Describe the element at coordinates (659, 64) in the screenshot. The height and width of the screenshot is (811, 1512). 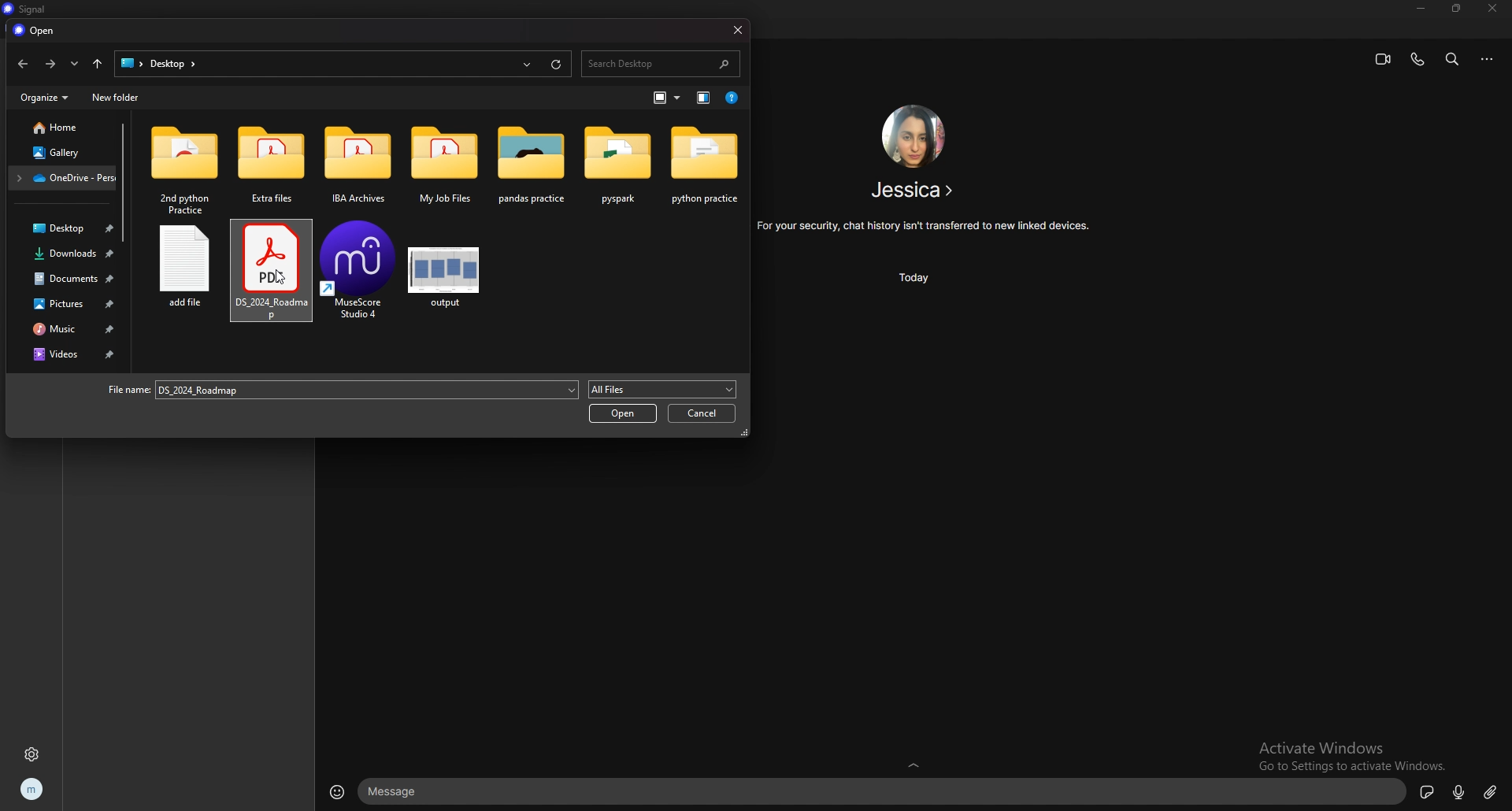
I see `search desktop` at that location.